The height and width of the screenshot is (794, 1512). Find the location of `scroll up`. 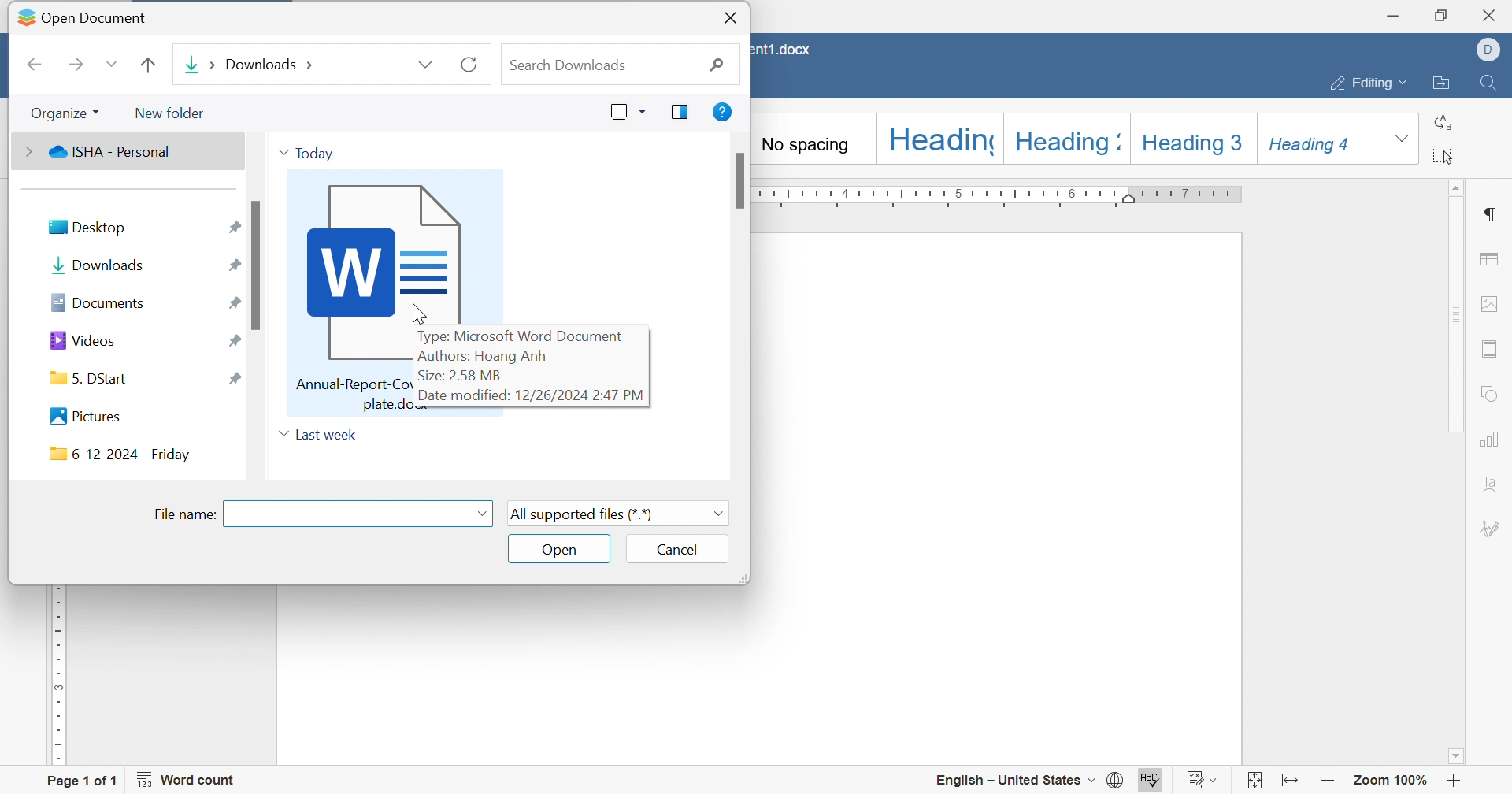

scroll up is located at coordinates (1458, 187).